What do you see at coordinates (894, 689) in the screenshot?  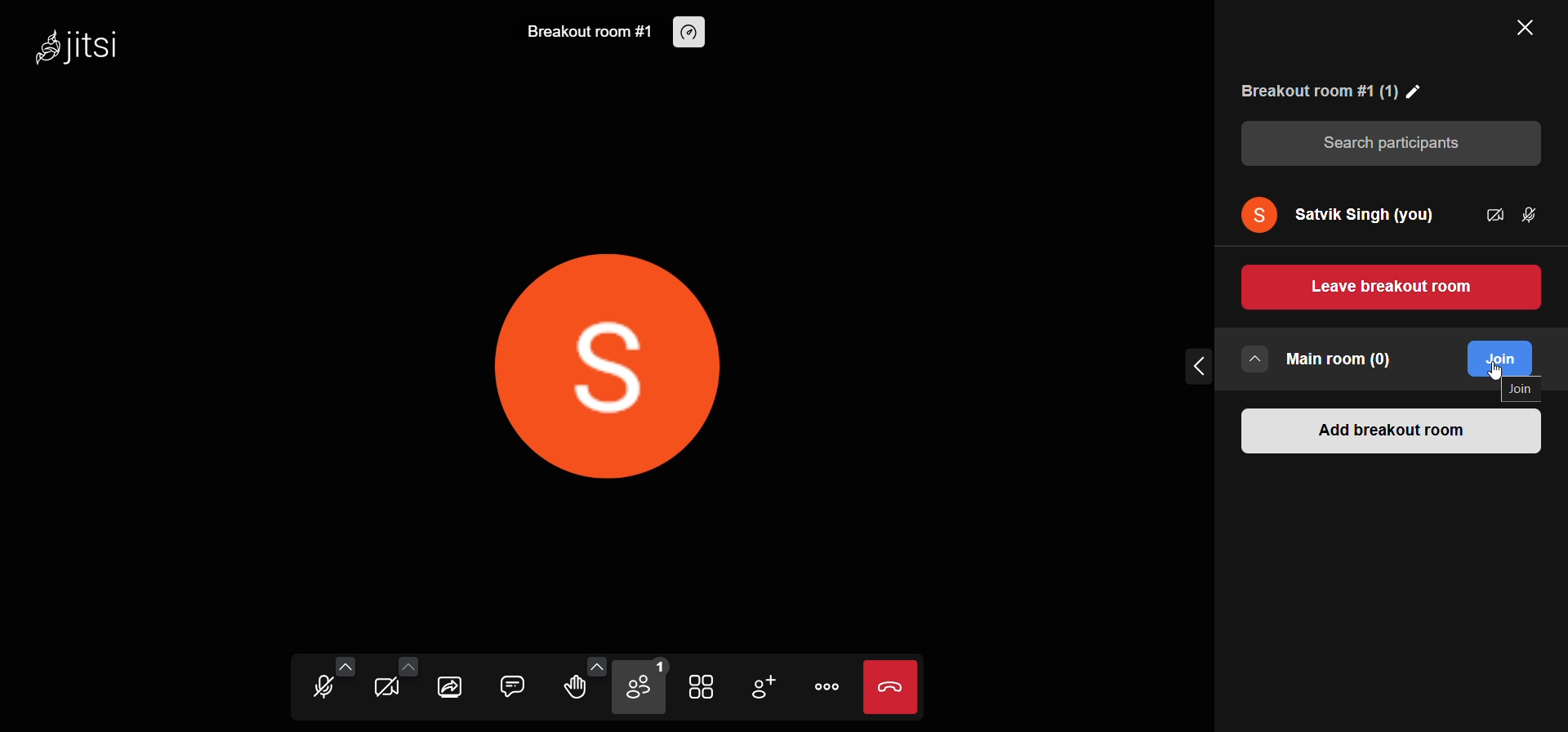 I see `leave call` at bounding box center [894, 689].